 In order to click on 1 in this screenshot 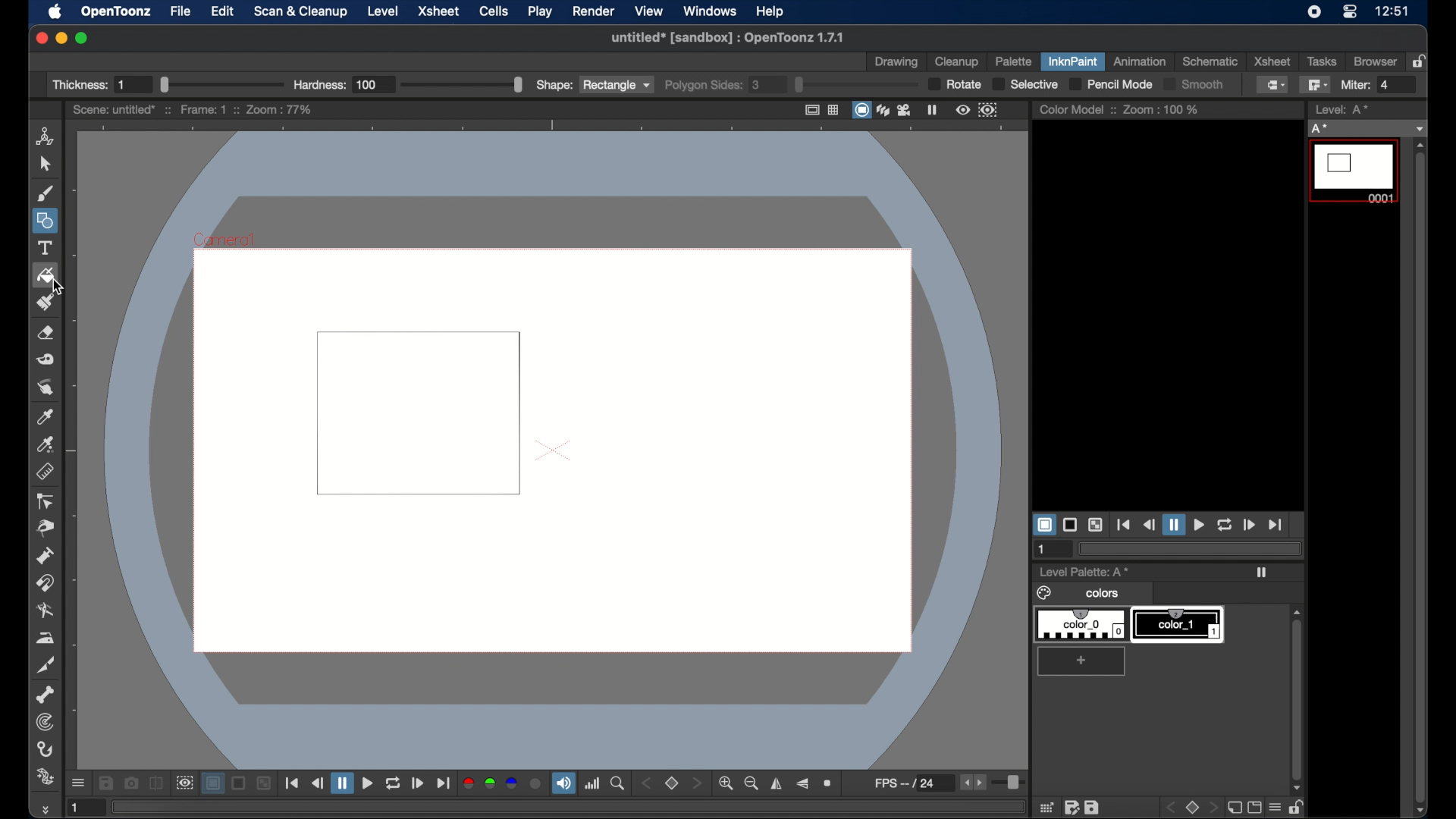, I will do `click(1043, 550)`.